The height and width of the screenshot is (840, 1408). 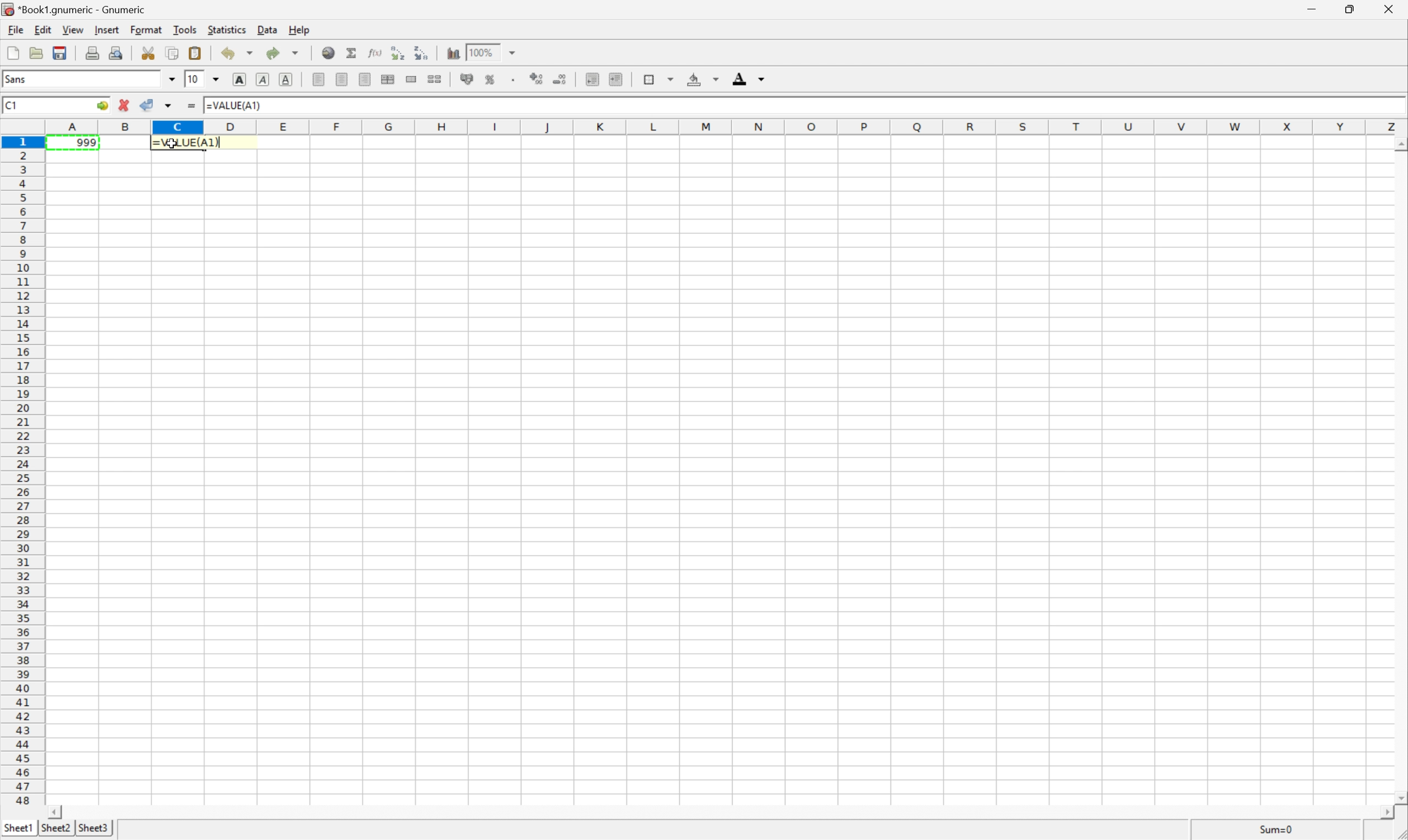 I want to click on italic, so click(x=262, y=78).